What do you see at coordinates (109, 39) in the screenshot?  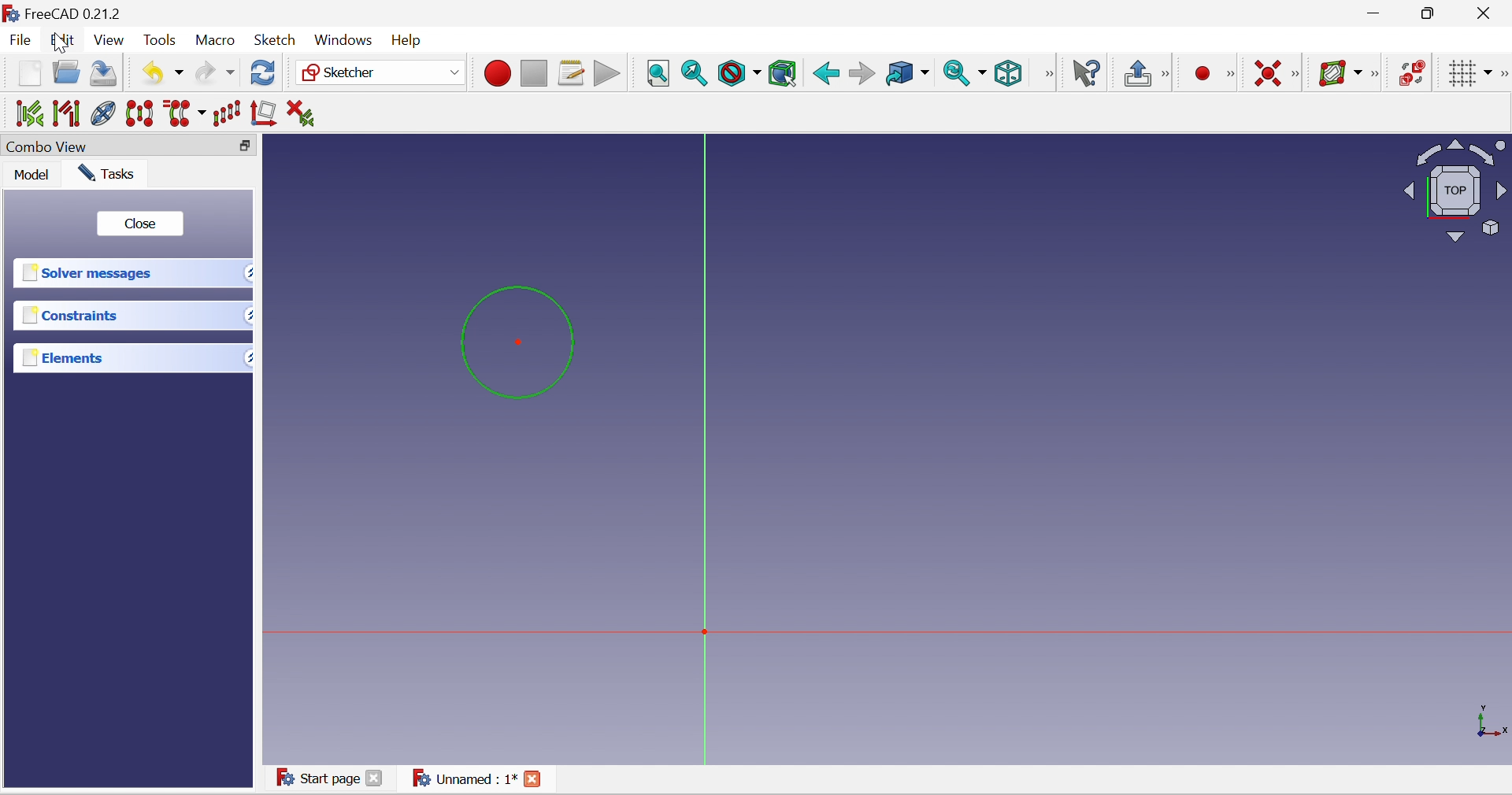 I see `View` at bounding box center [109, 39].